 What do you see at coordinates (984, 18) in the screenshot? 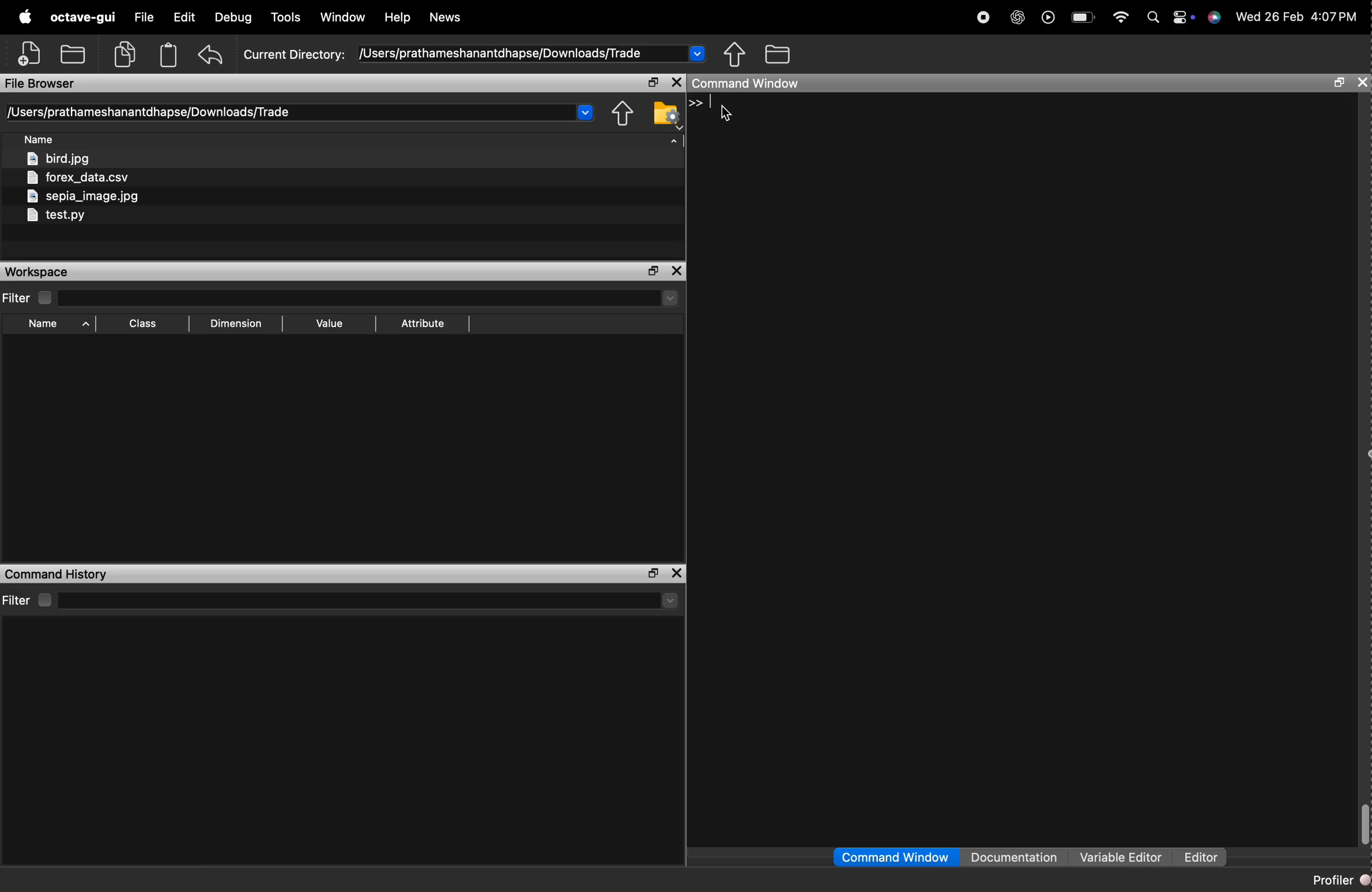
I see `stop recording` at bounding box center [984, 18].